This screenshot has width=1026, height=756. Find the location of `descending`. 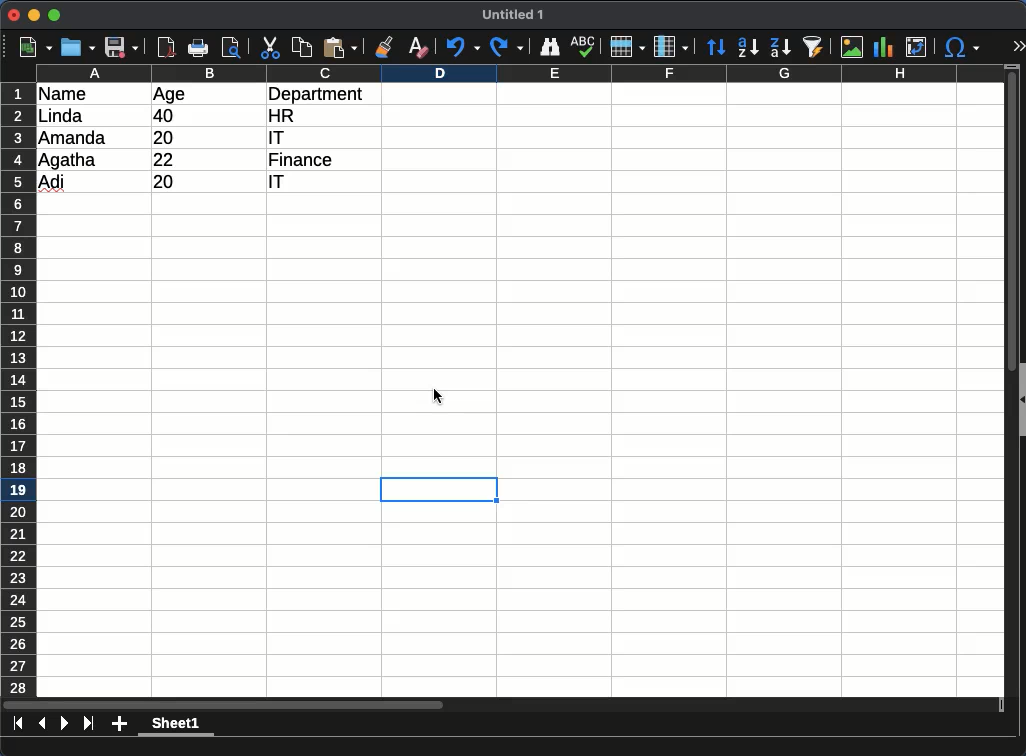

descending is located at coordinates (748, 48).